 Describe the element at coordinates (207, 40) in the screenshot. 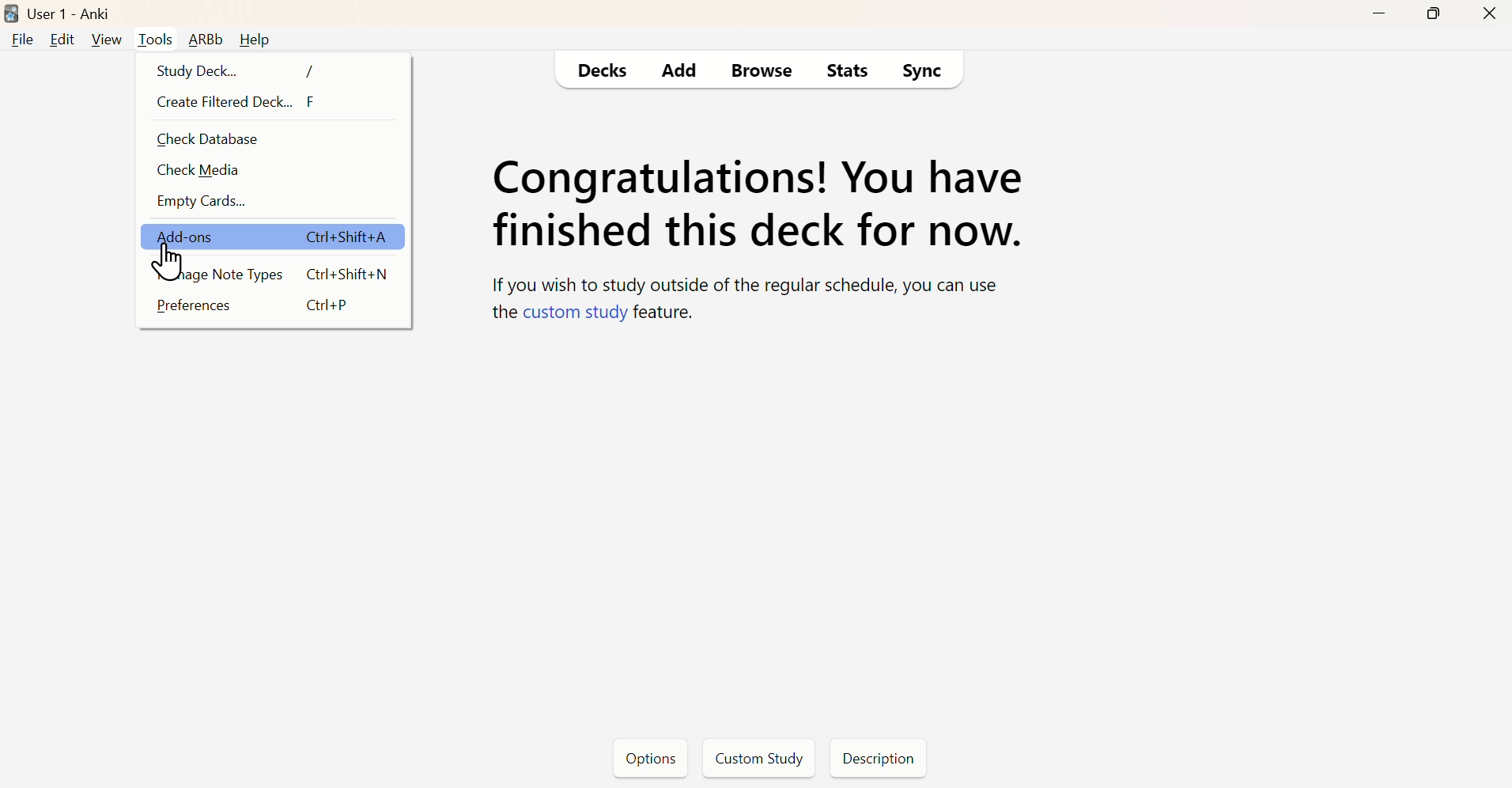

I see `ARBb` at that location.